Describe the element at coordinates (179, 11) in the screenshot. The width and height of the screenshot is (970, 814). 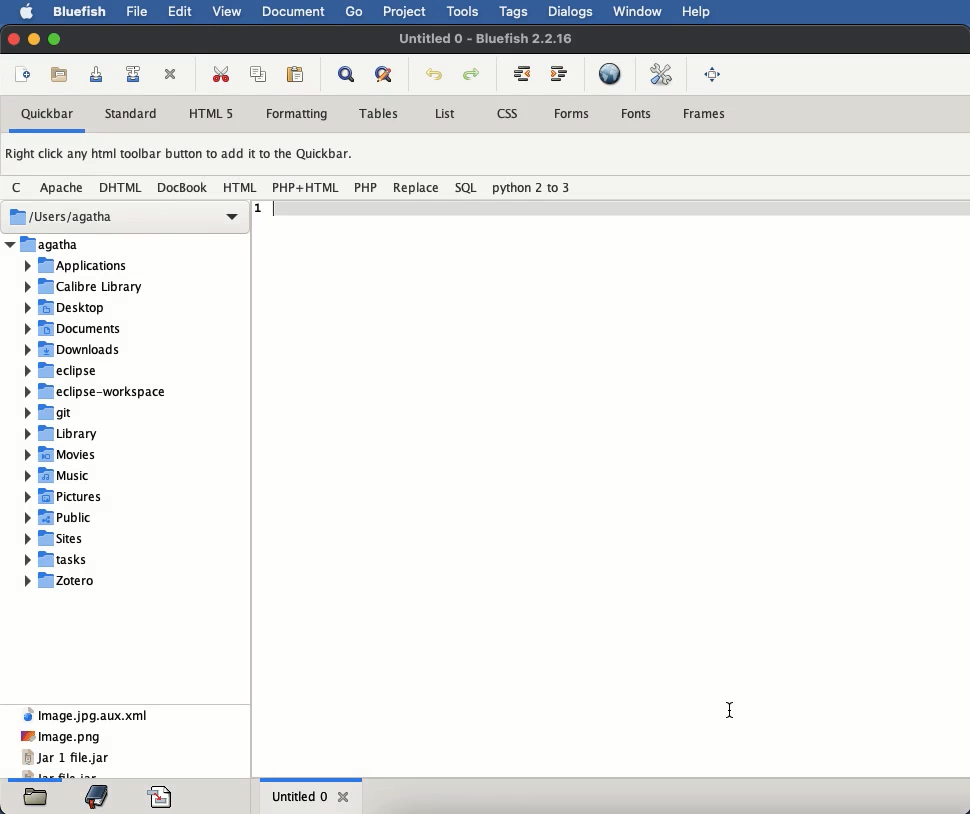
I see `edit` at that location.